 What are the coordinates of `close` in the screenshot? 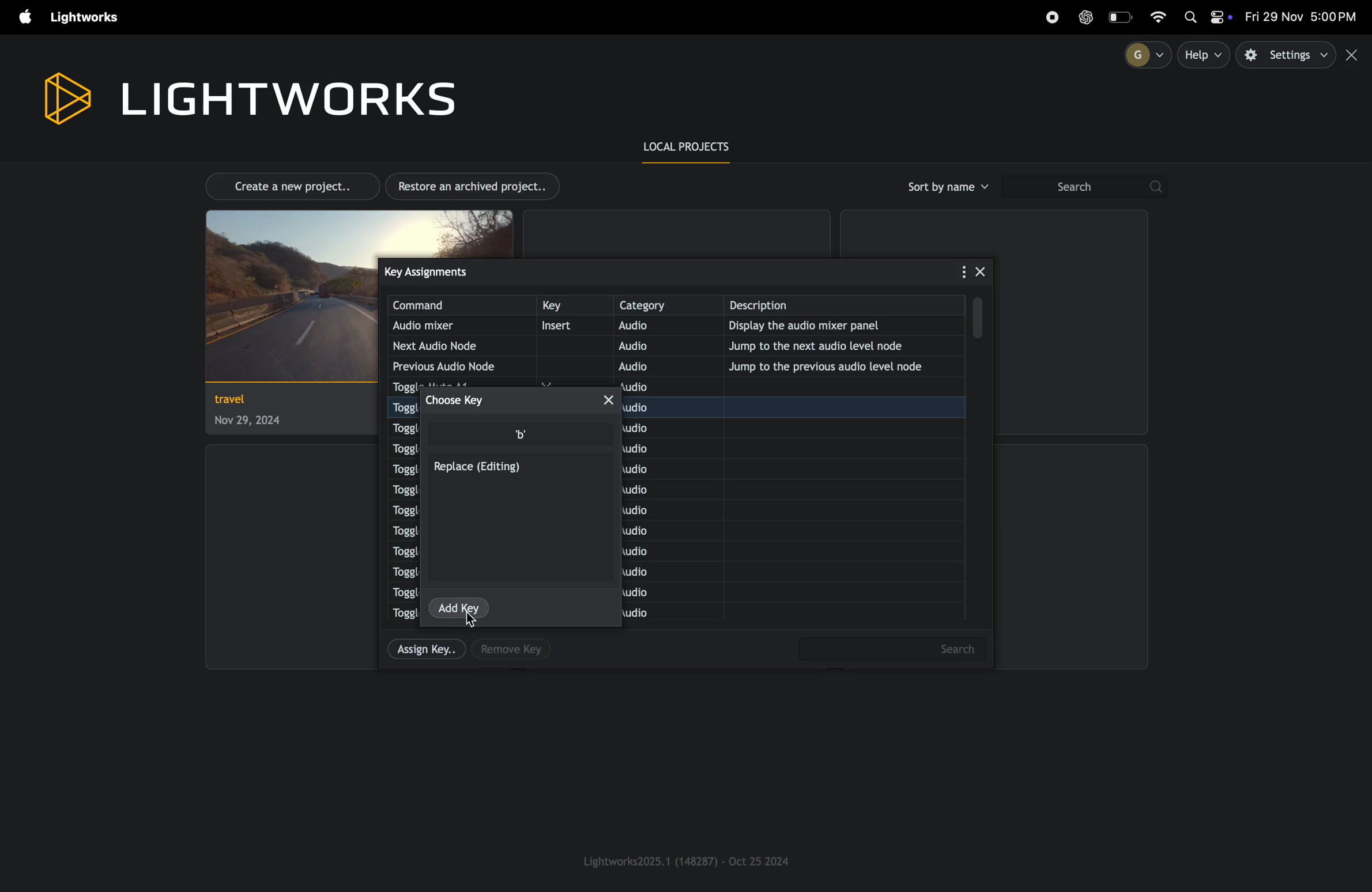 It's located at (1354, 55).